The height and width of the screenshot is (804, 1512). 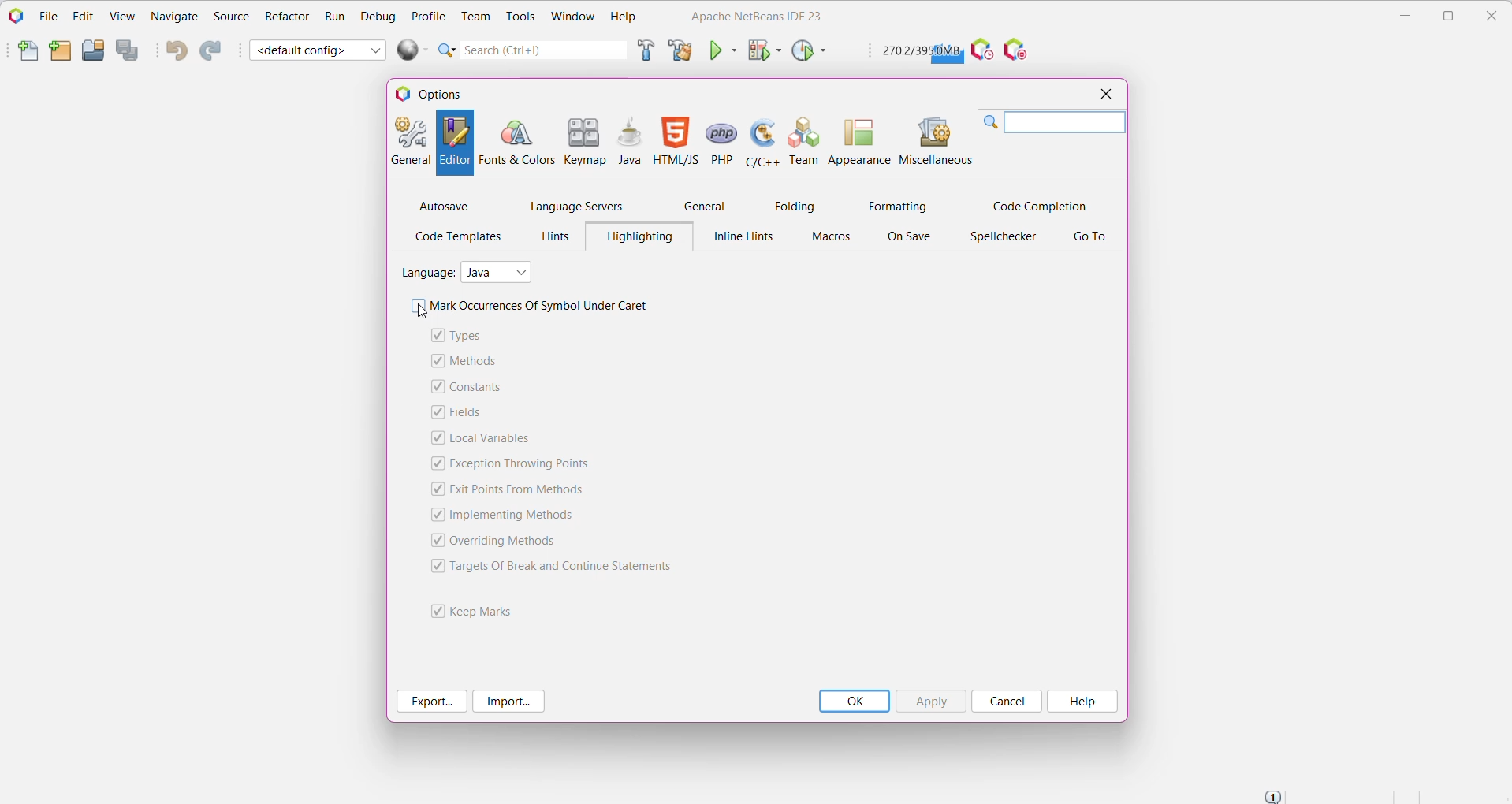 What do you see at coordinates (628, 143) in the screenshot?
I see `Java` at bounding box center [628, 143].